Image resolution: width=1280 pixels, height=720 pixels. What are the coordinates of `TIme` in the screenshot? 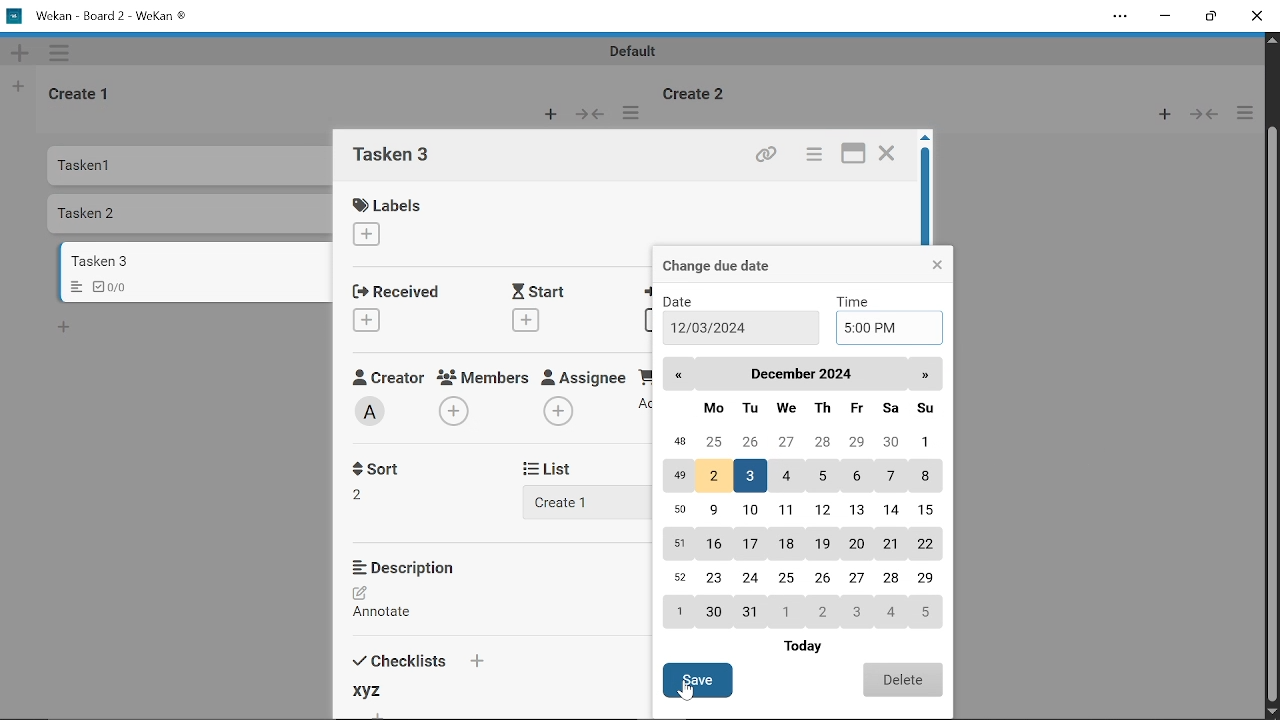 It's located at (857, 300).